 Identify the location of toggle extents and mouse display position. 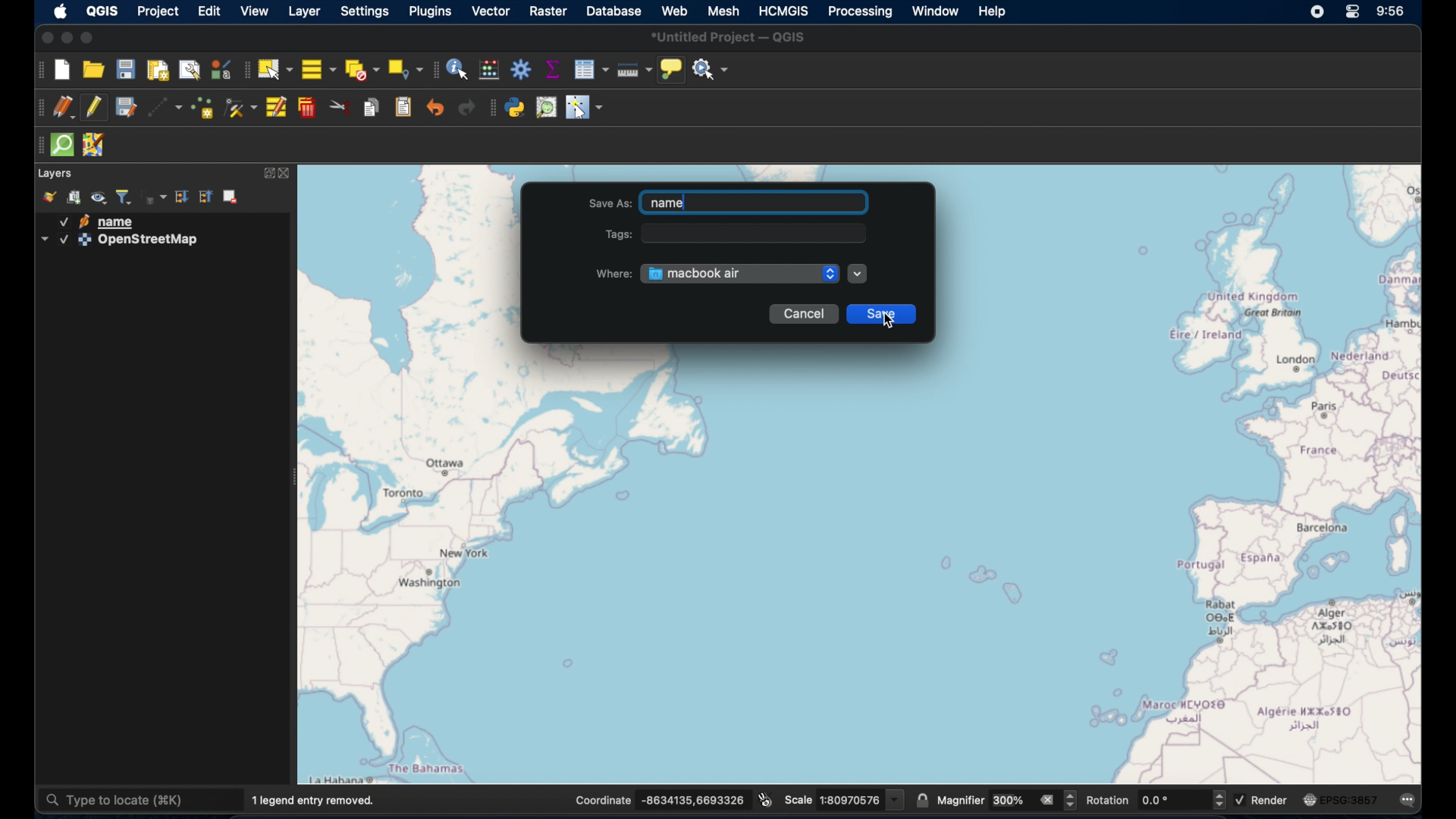
(767, 799).